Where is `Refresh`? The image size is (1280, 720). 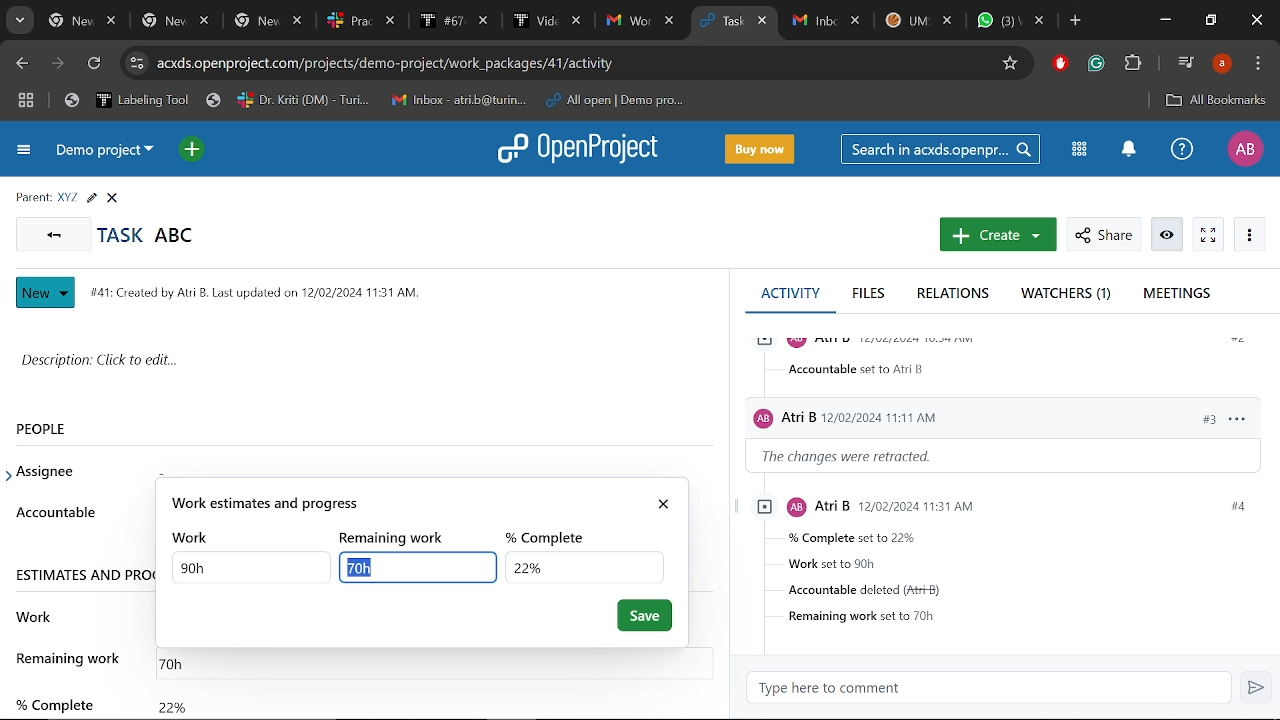
Refresh is located at coordinates (93, 65).